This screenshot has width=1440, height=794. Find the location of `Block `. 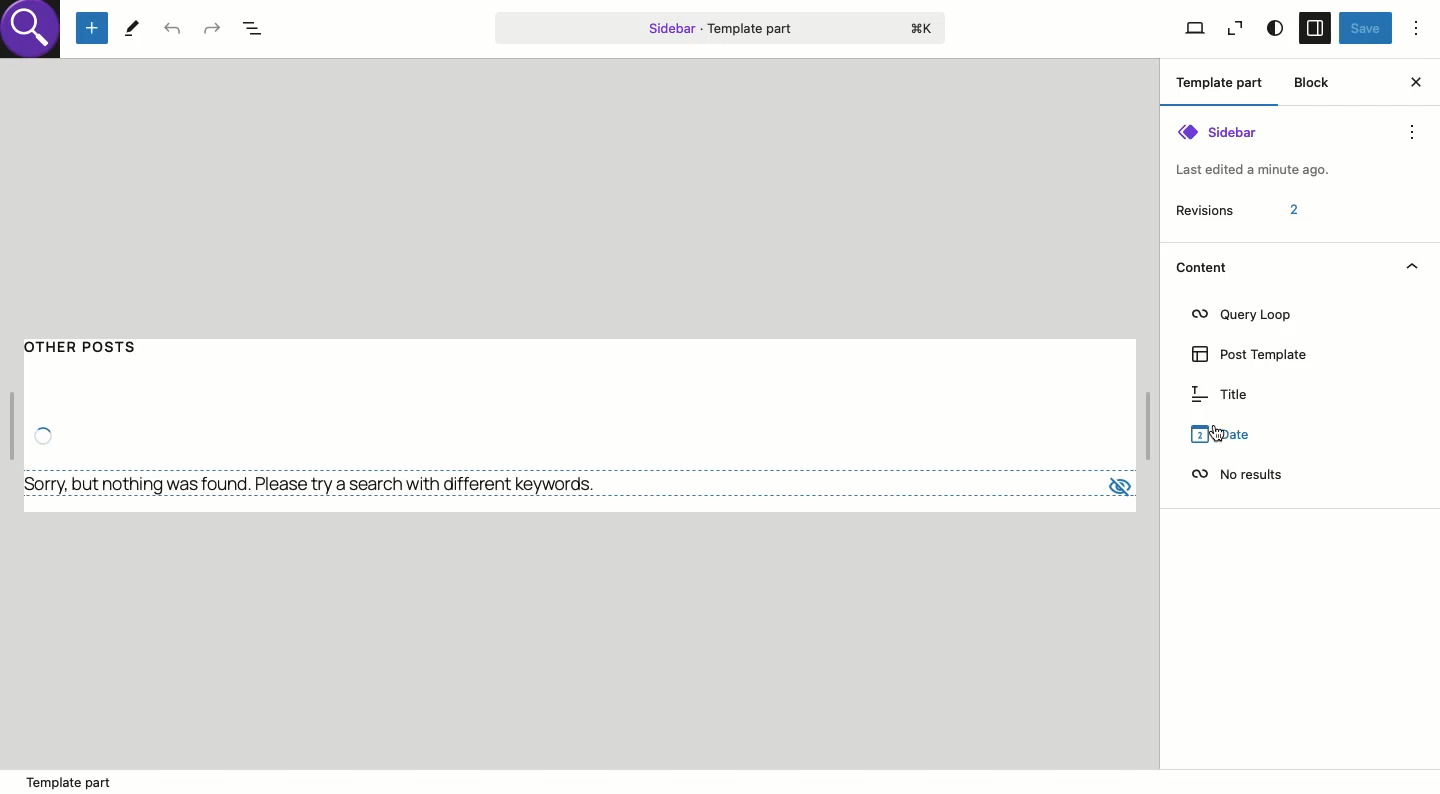

Block  is located at coordinates (1314, 82).